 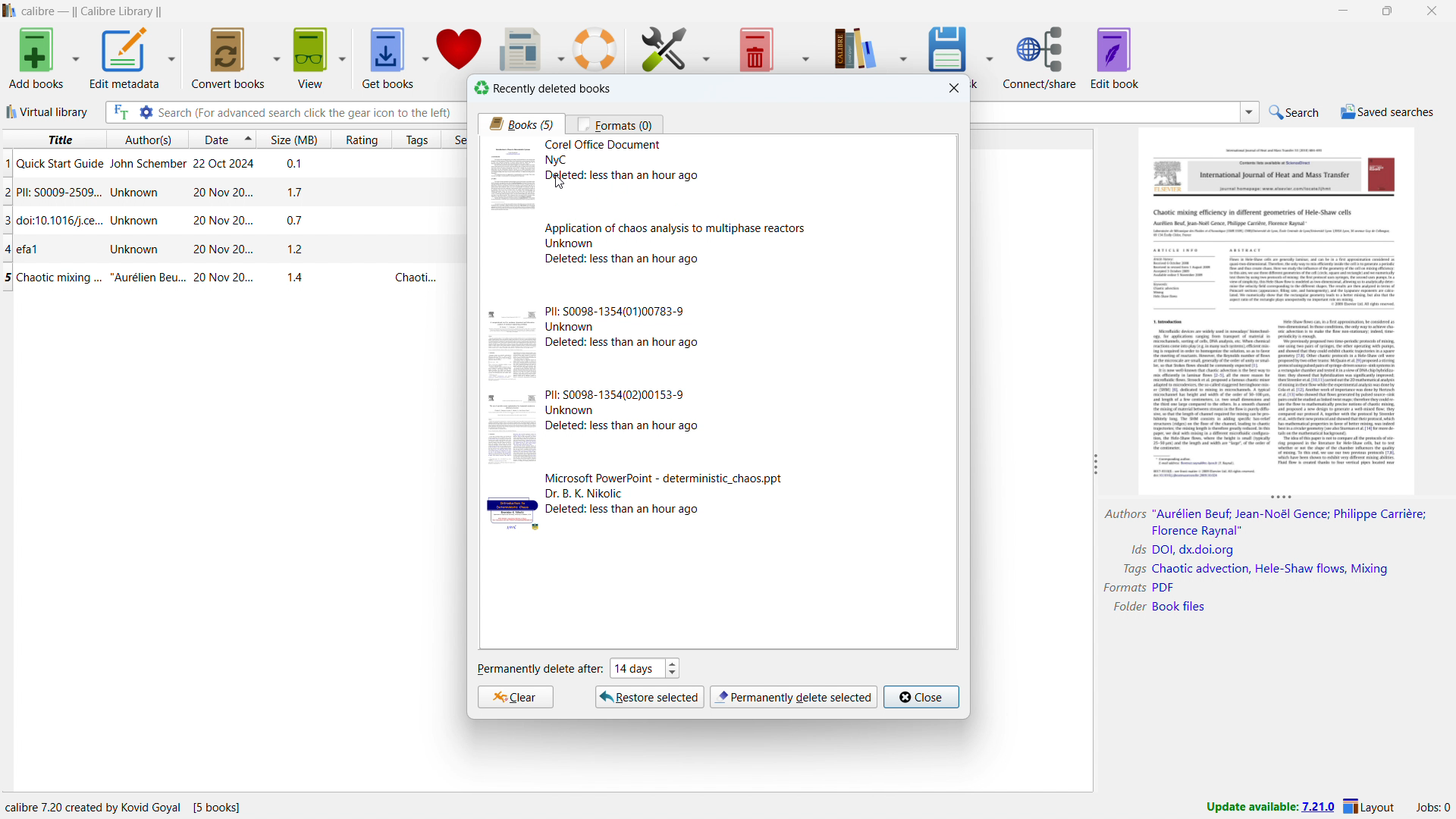 I want to click on close, so click(x=1430, y=11).